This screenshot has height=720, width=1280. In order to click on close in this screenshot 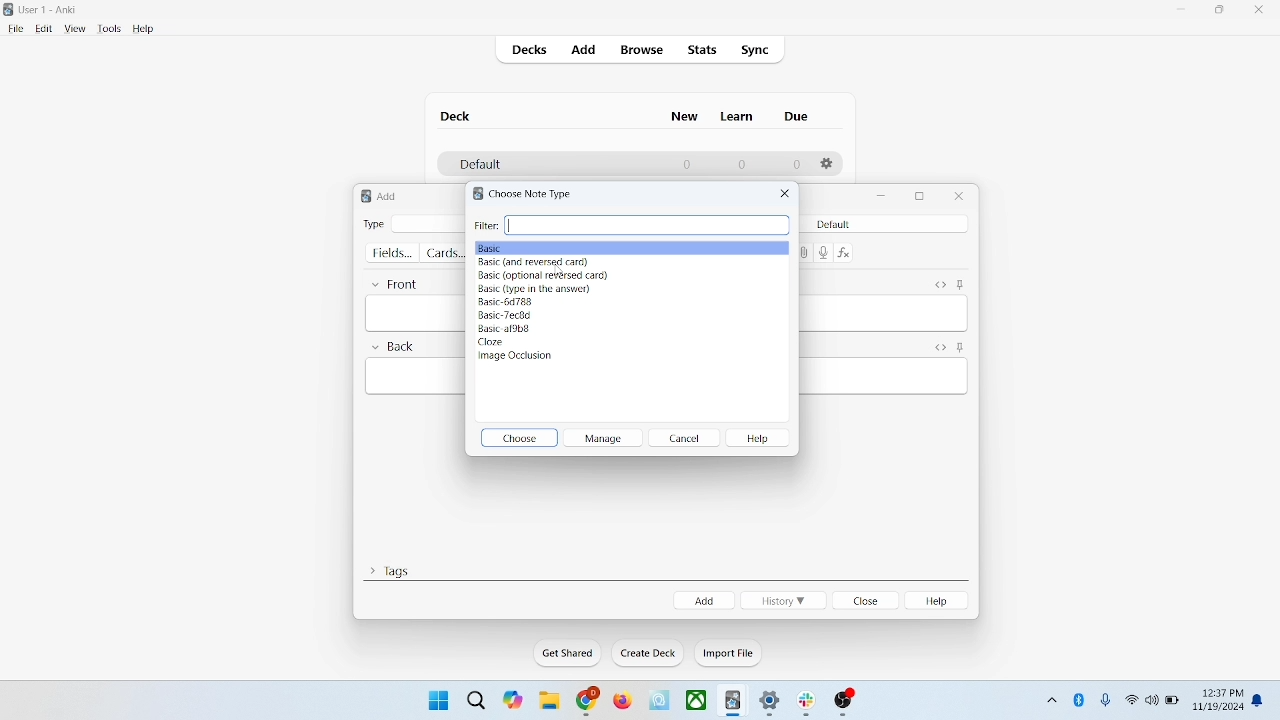, I will do `click(867, 602)`.